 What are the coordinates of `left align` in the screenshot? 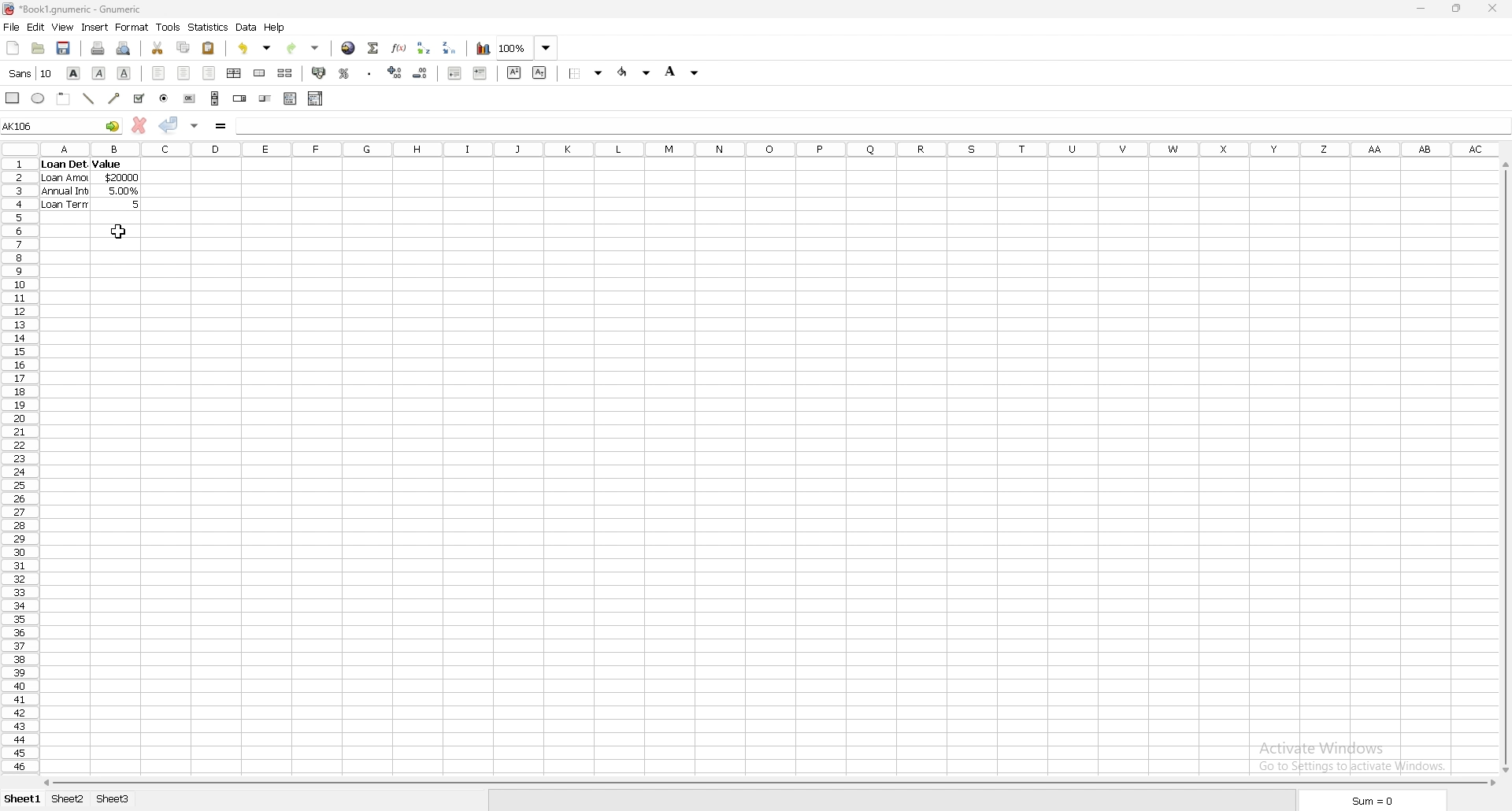 It's located at (158, 72).